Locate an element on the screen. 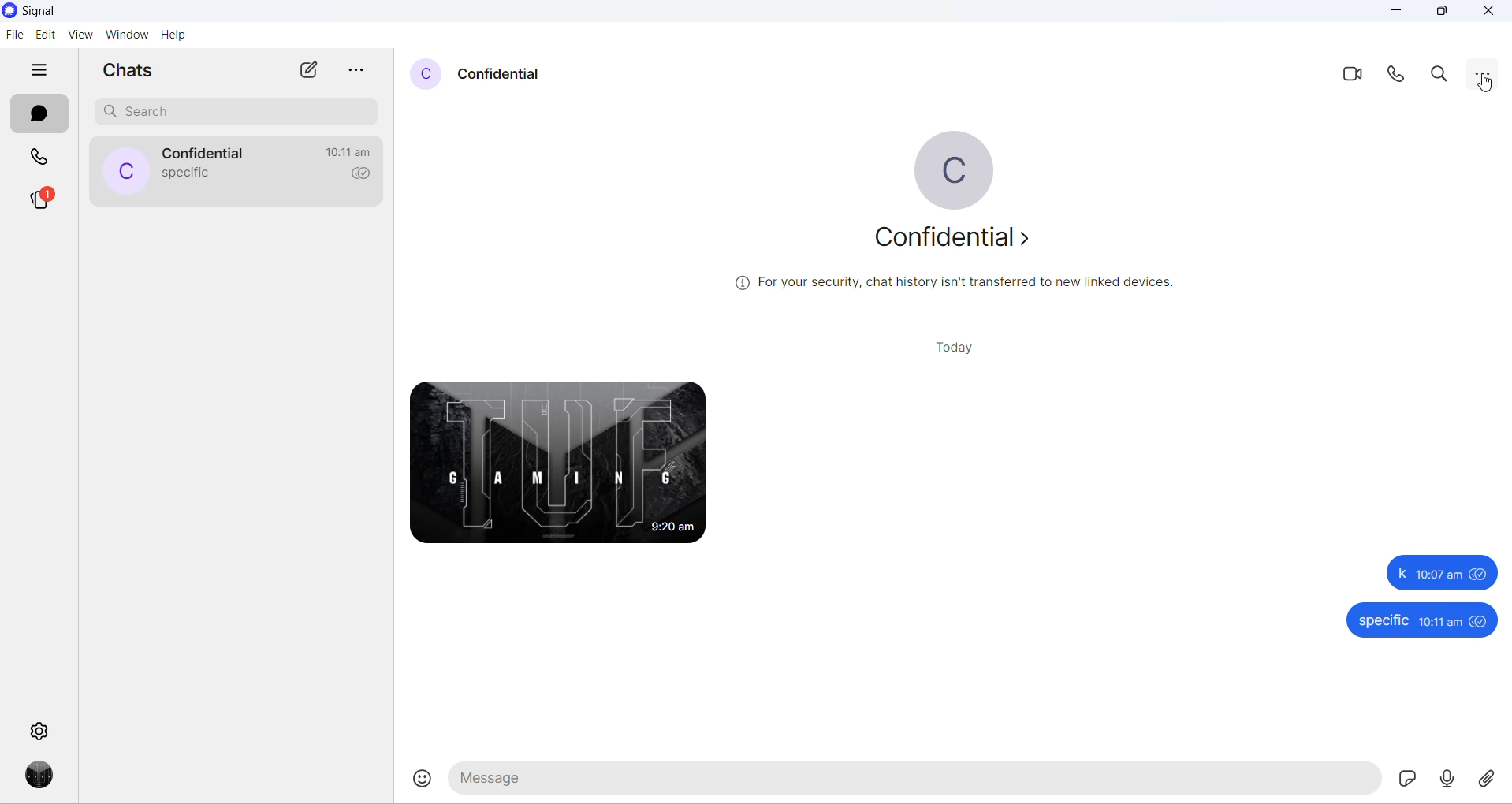  close is located at coordinates (1489, 11).